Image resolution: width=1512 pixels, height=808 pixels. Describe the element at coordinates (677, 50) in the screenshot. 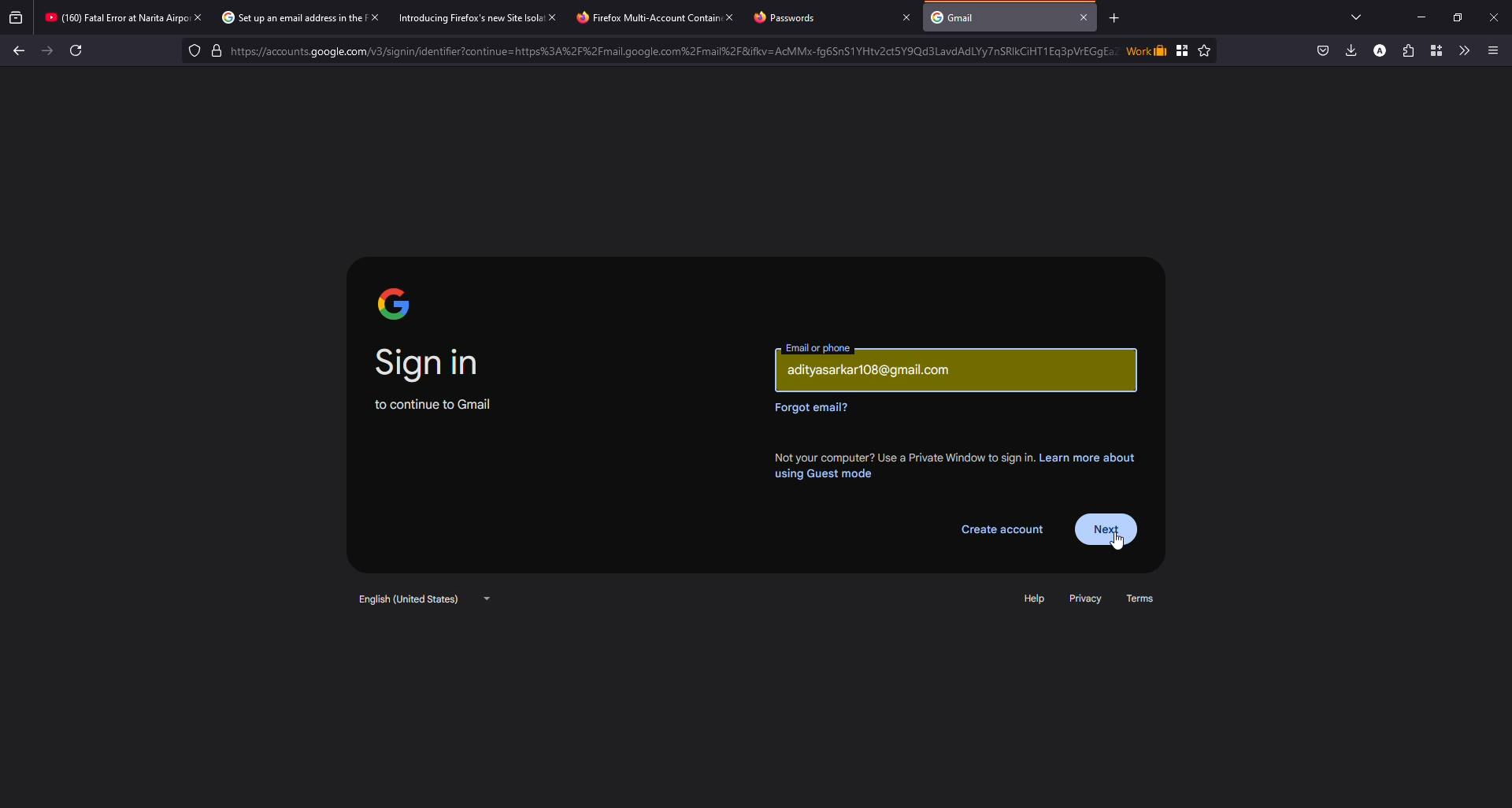

I see `Lock` at that location.